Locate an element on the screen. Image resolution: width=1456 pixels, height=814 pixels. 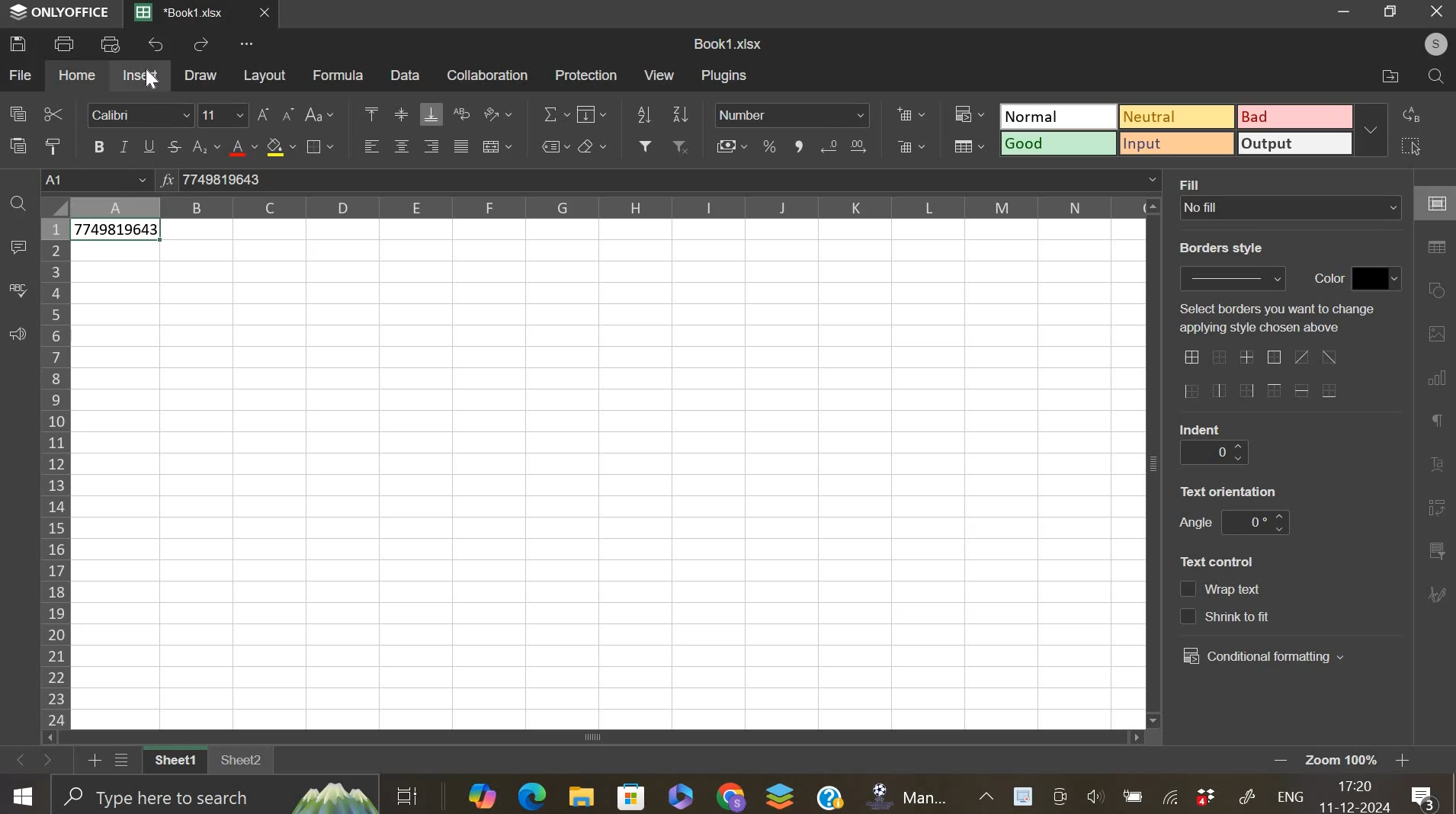
select is located at coordinates (1413, 145).